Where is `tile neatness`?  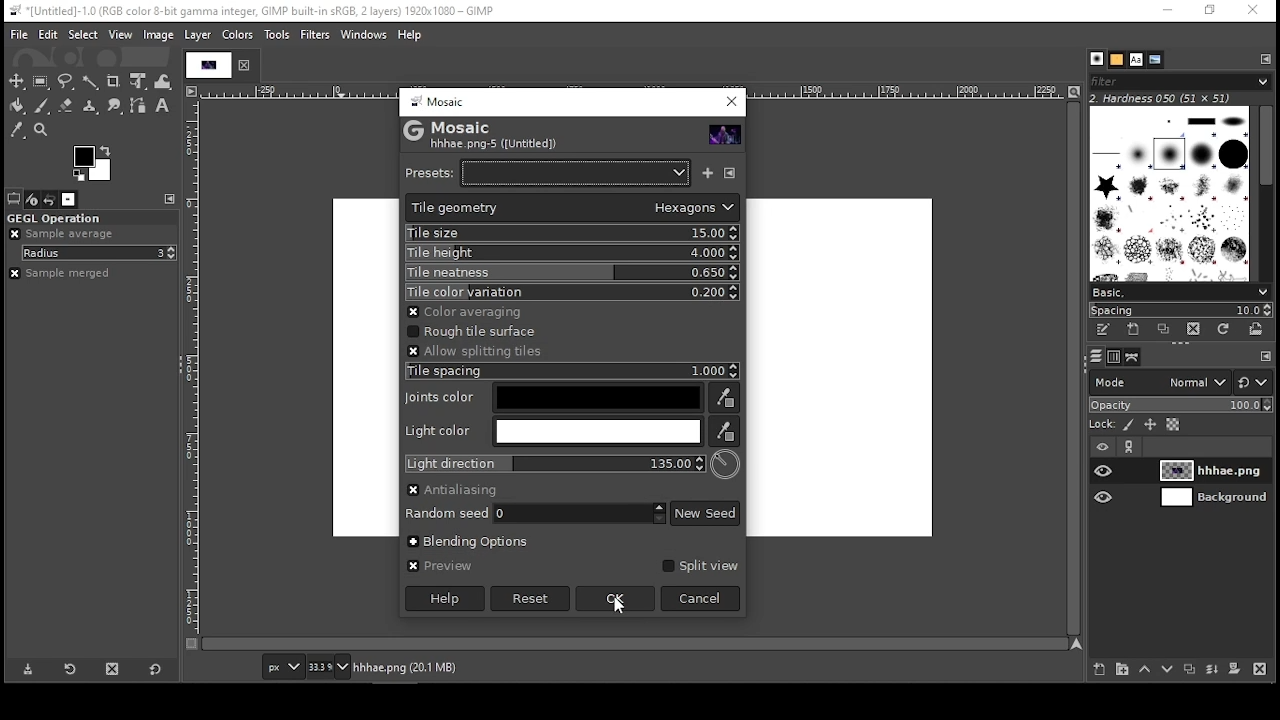 tile neatness is located at coordinates (572, 272).